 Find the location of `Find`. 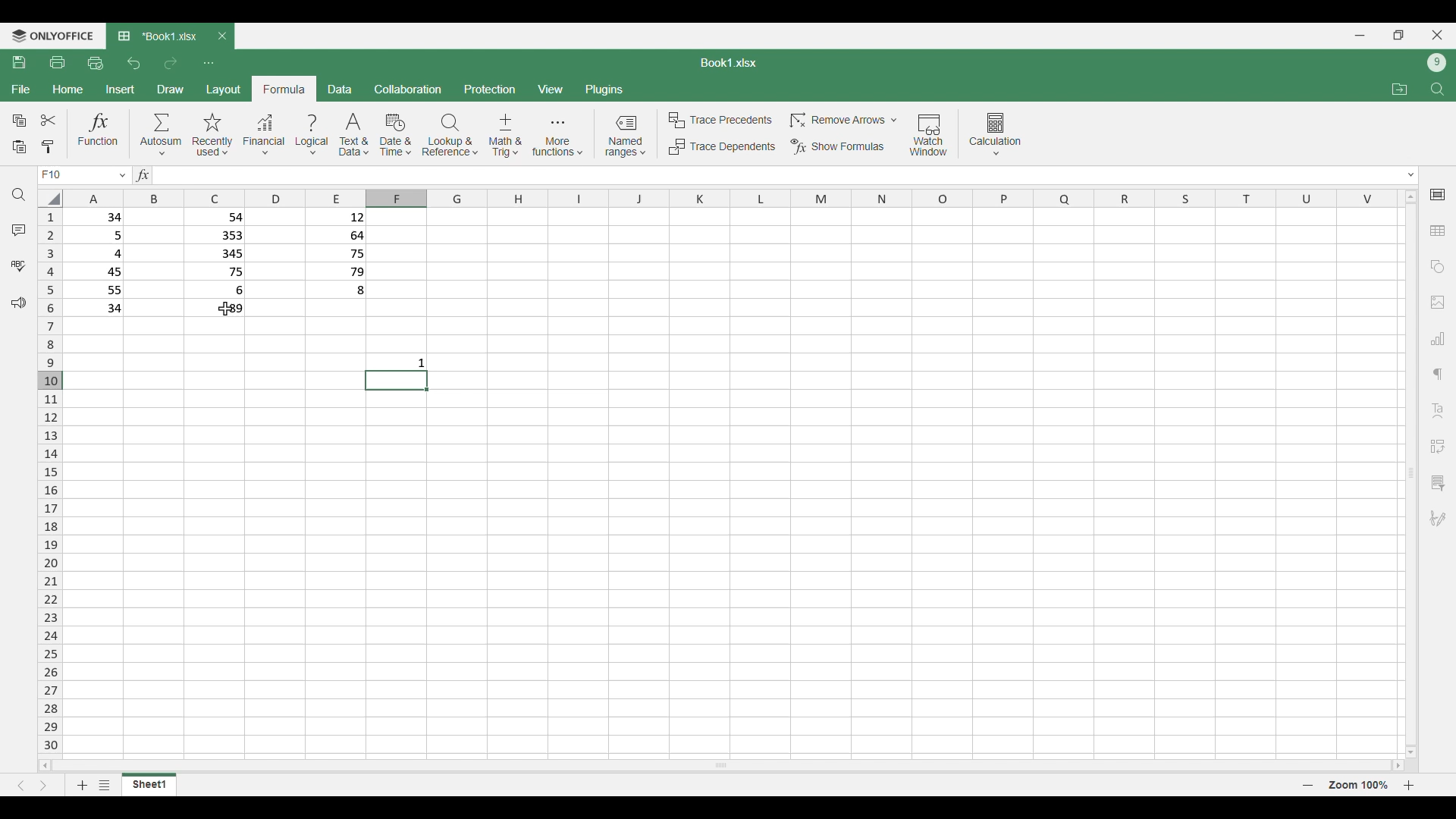

Find is located at coordinates (19, 195).